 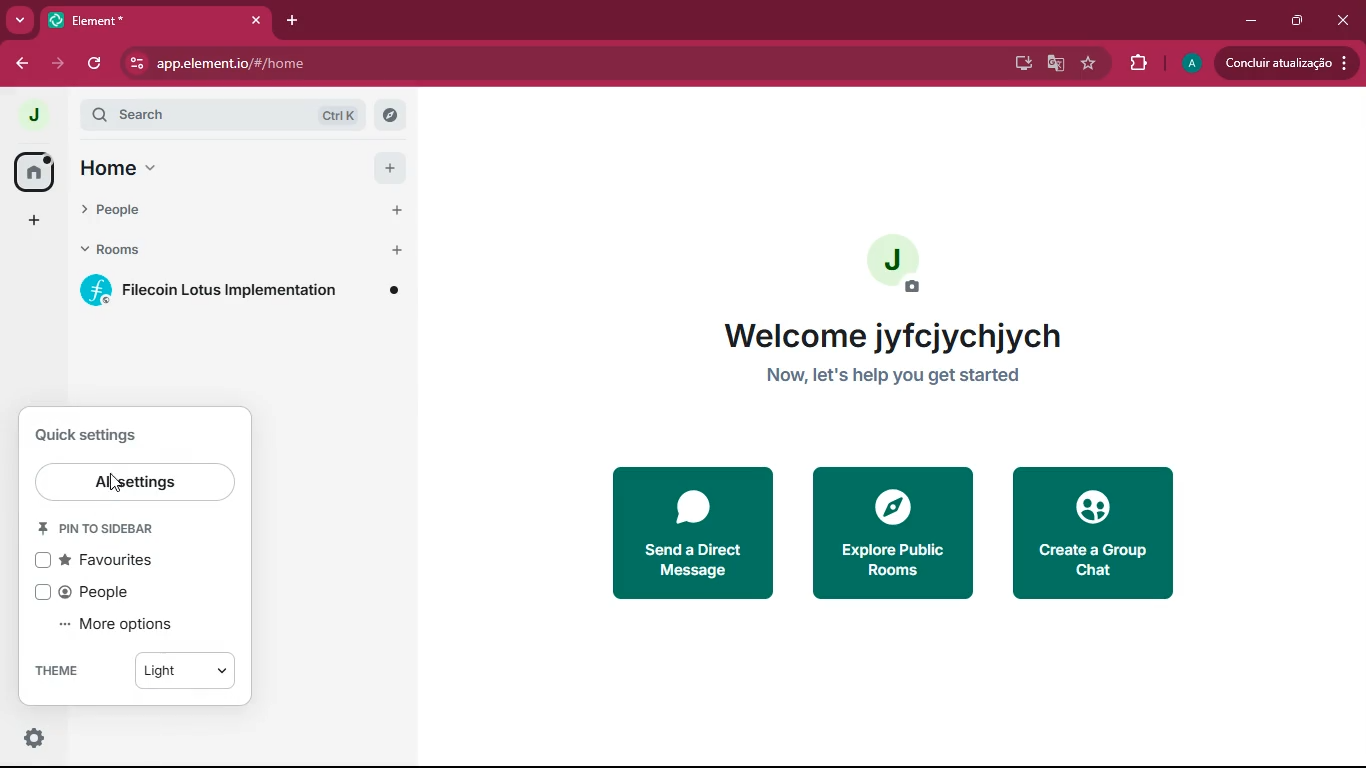 I want to click on all settings, so click(x=136, y=482).